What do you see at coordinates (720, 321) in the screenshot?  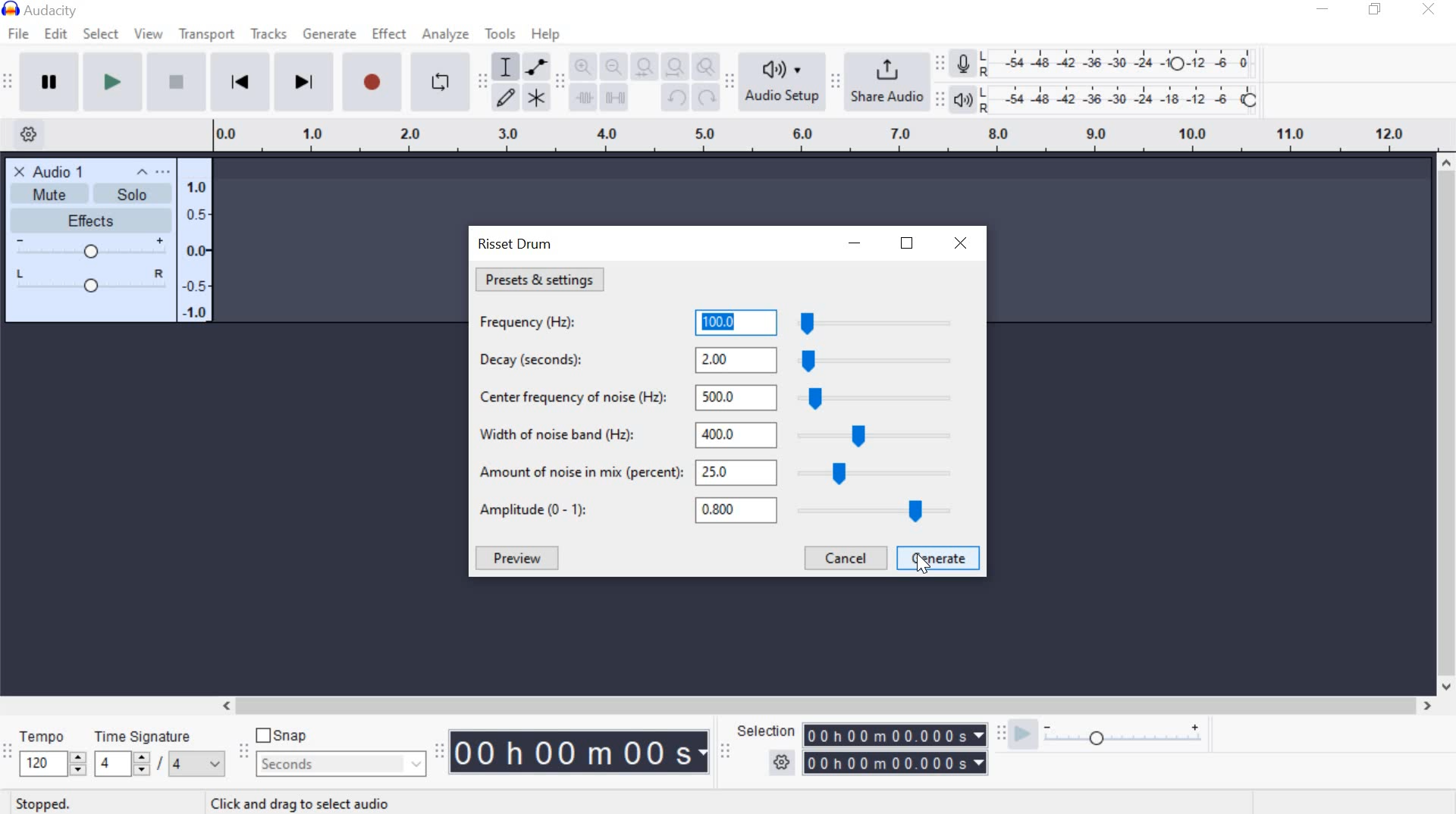 I see `Frequency` at bounding box center [720, 321].